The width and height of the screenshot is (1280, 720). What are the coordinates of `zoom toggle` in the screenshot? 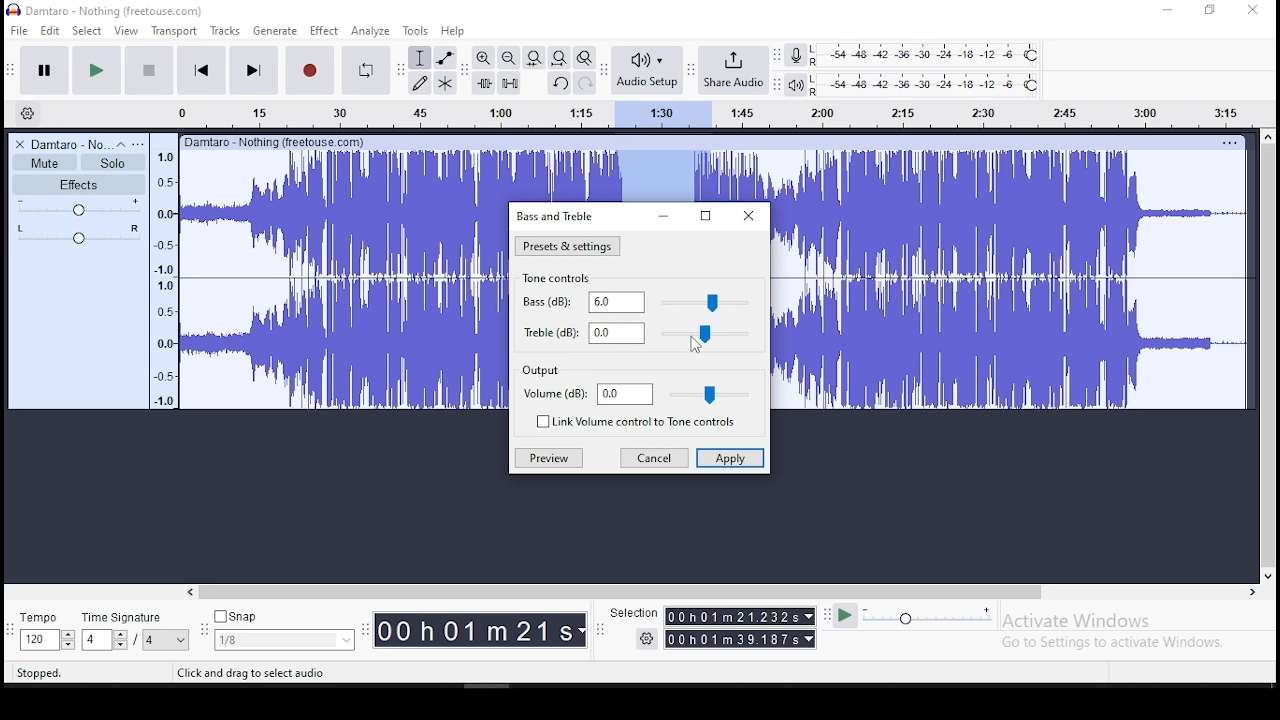 It's located at (583, 59).